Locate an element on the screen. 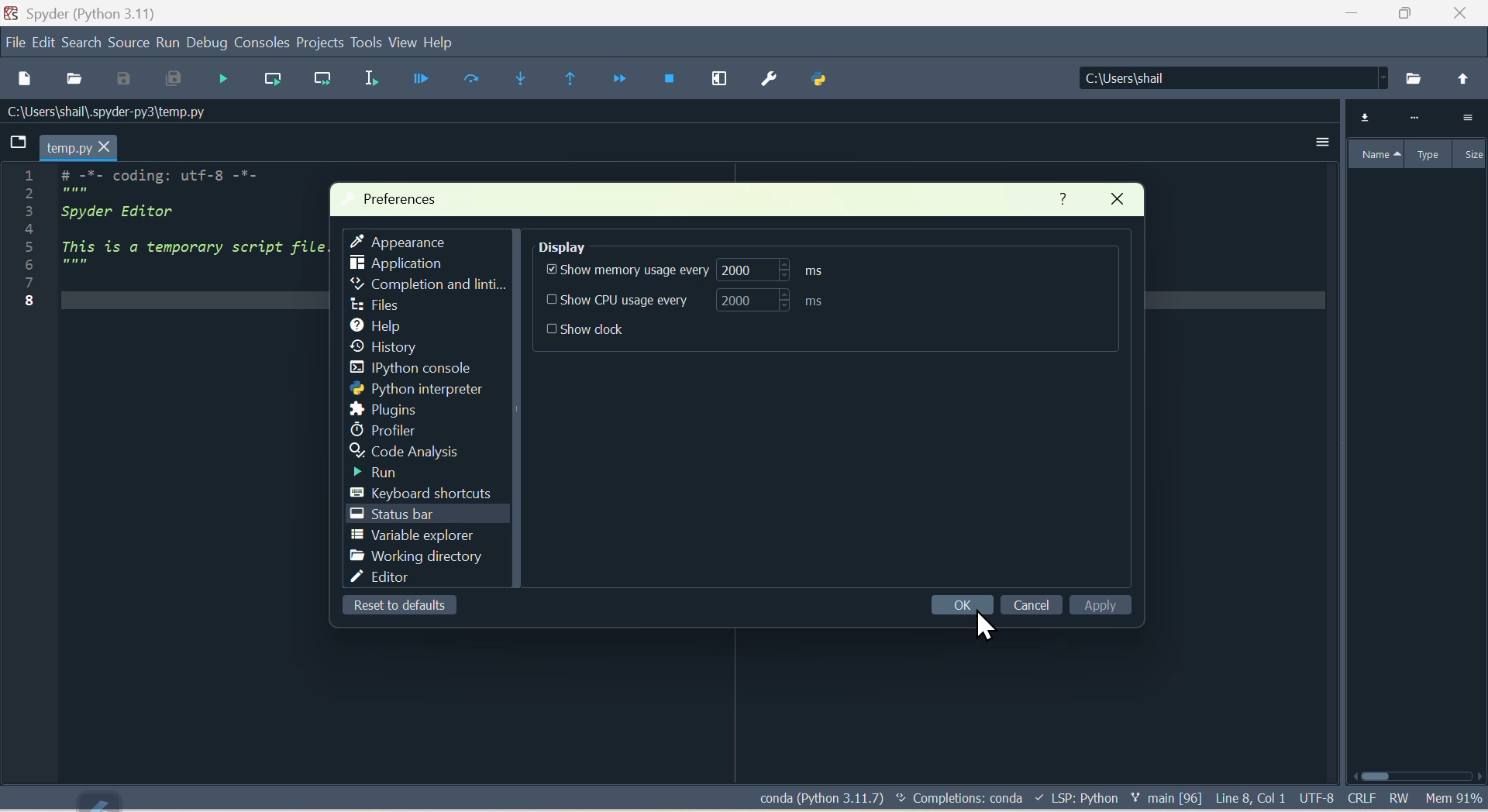 The height and width of the screenshot is (812, 1488). Plugins is located at coordinates (384, 411).